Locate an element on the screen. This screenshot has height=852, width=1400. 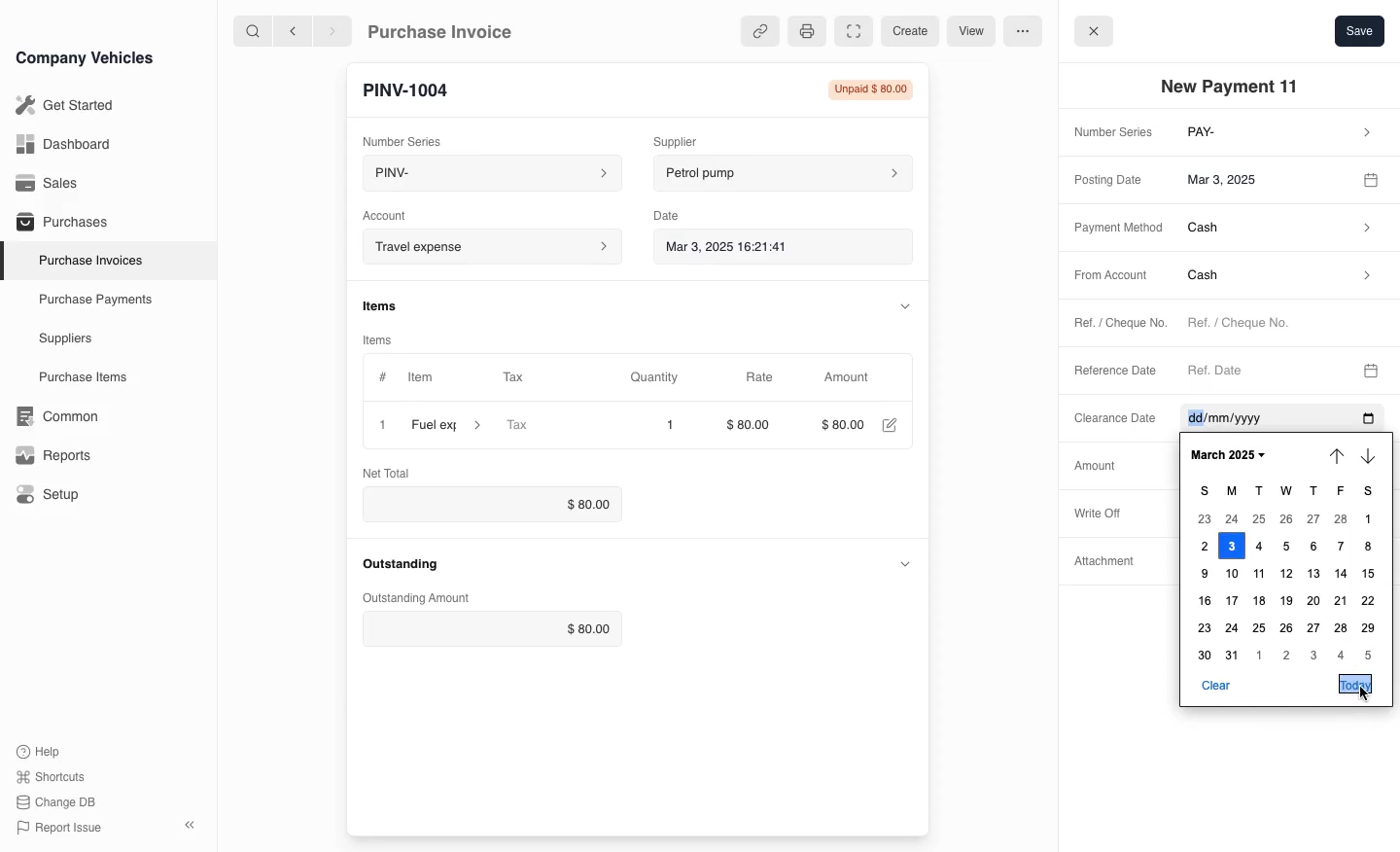
calender is located at coordinates (1374, 178).